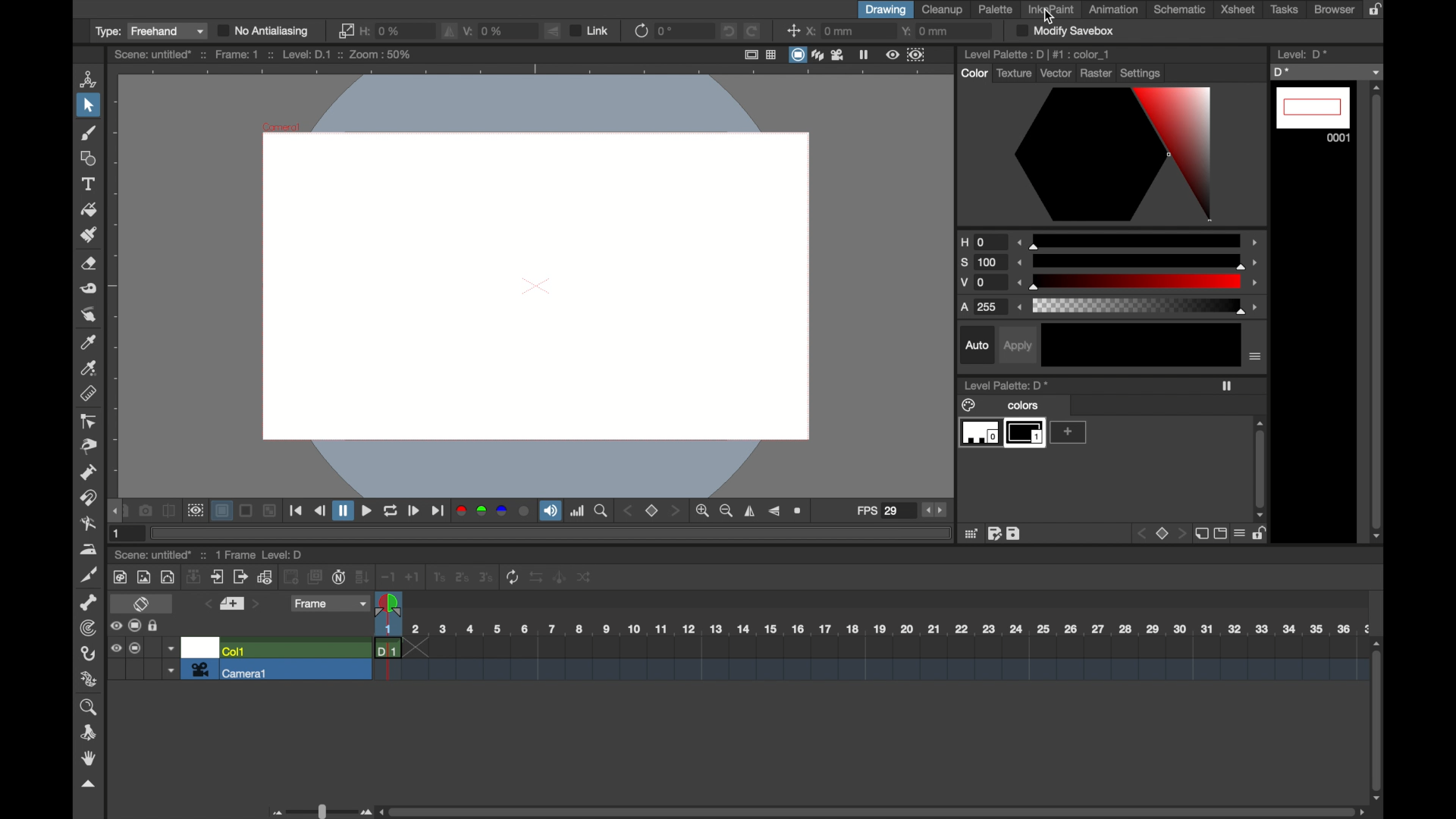  What do you see at coordinates (1227, 386) in the screenshot?
I see `freeze` at bounding box center [1227, 386].